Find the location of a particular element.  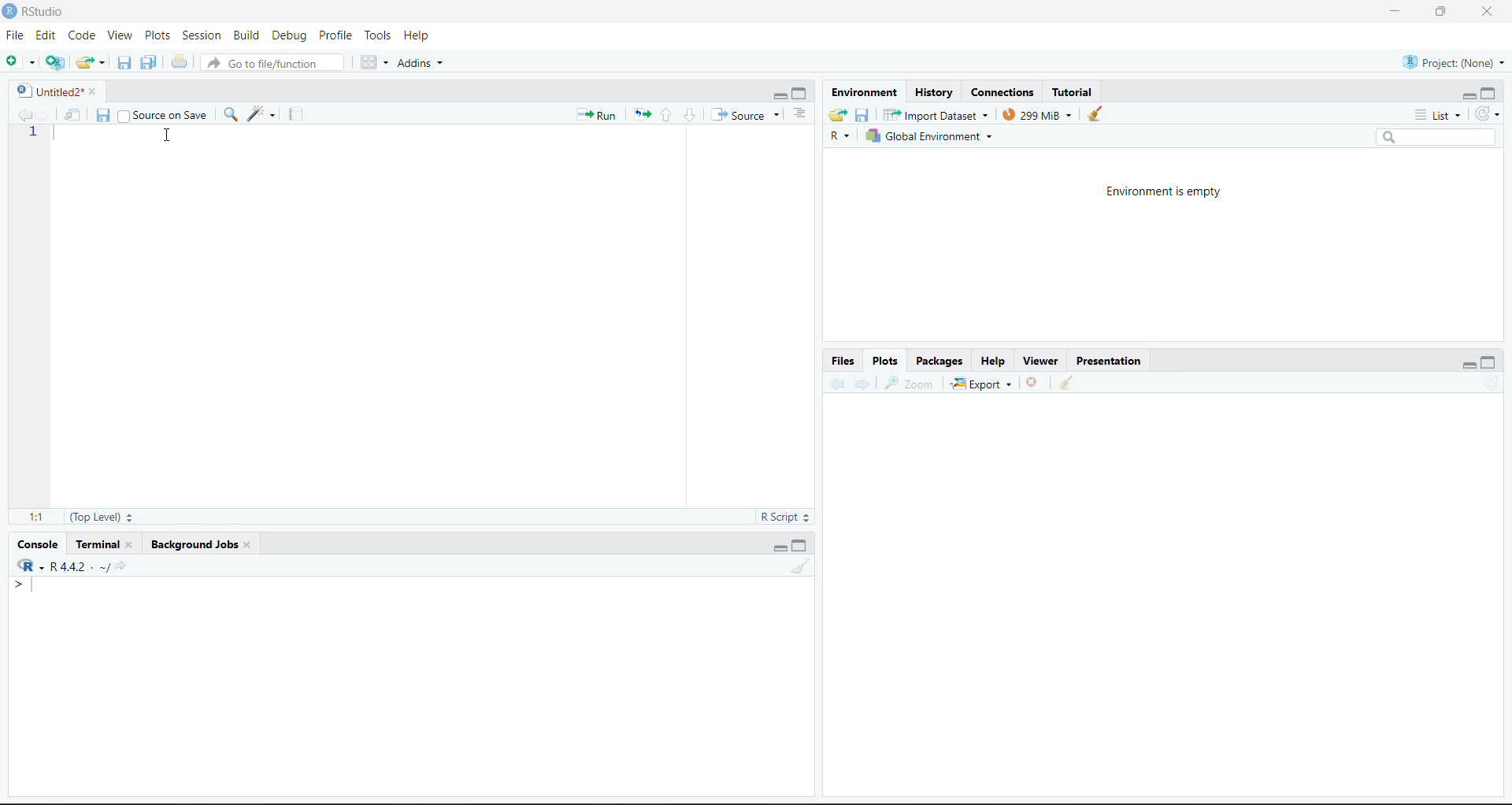

open an existing file is located at coordinates (89, 61).